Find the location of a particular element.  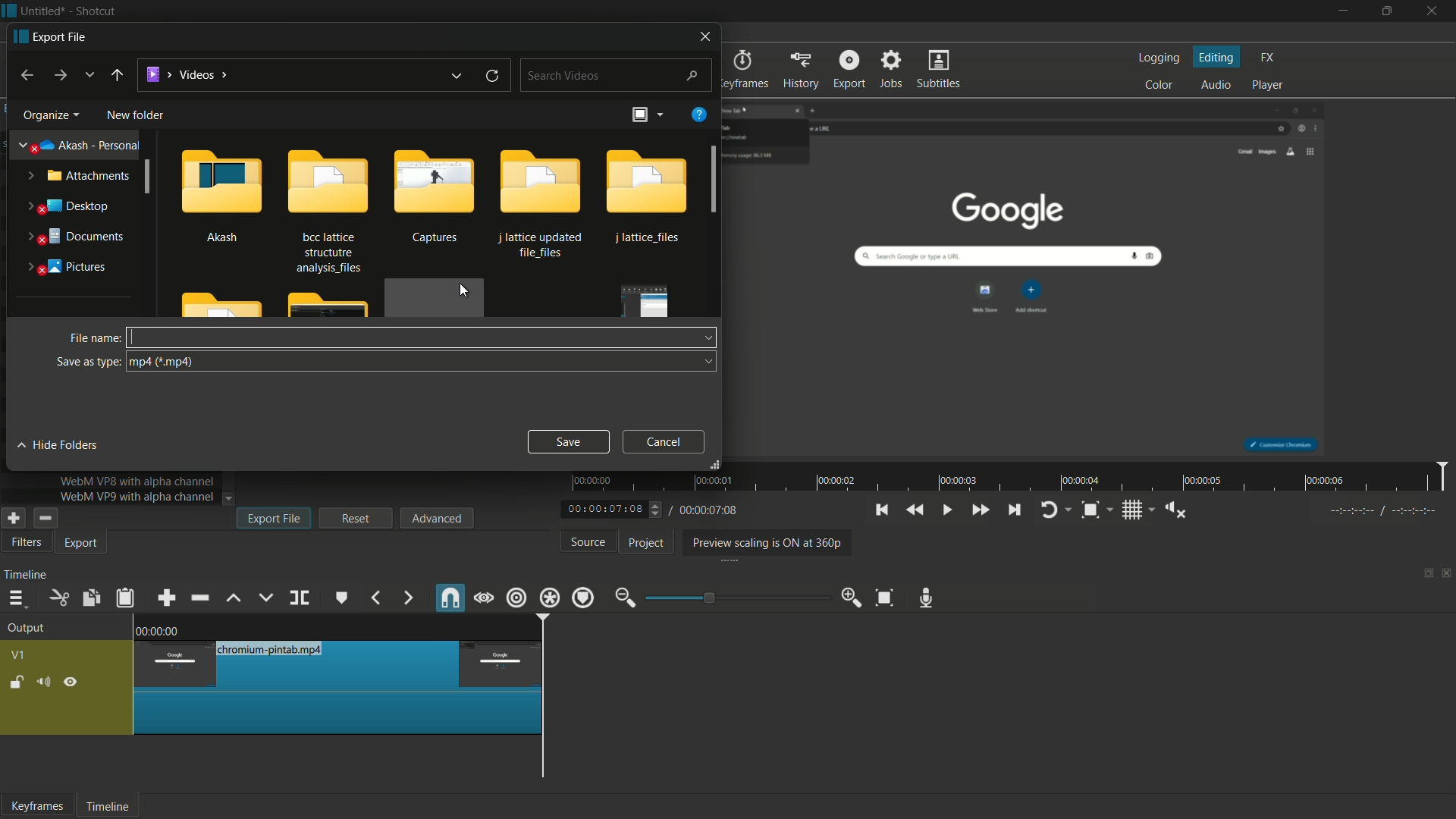

export is located at coordinates (83, 544).